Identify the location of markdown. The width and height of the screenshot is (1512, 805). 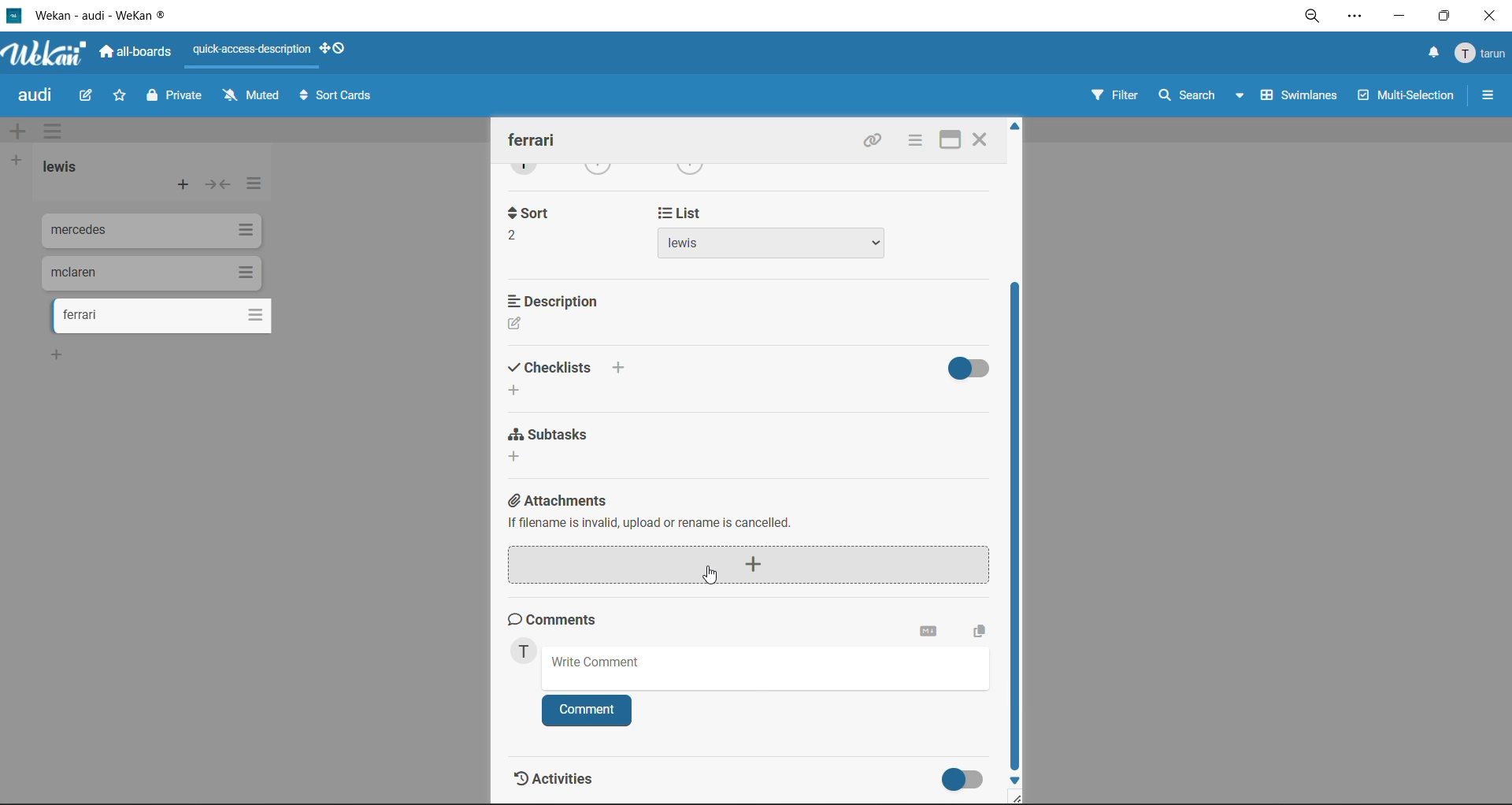
(929, 632).